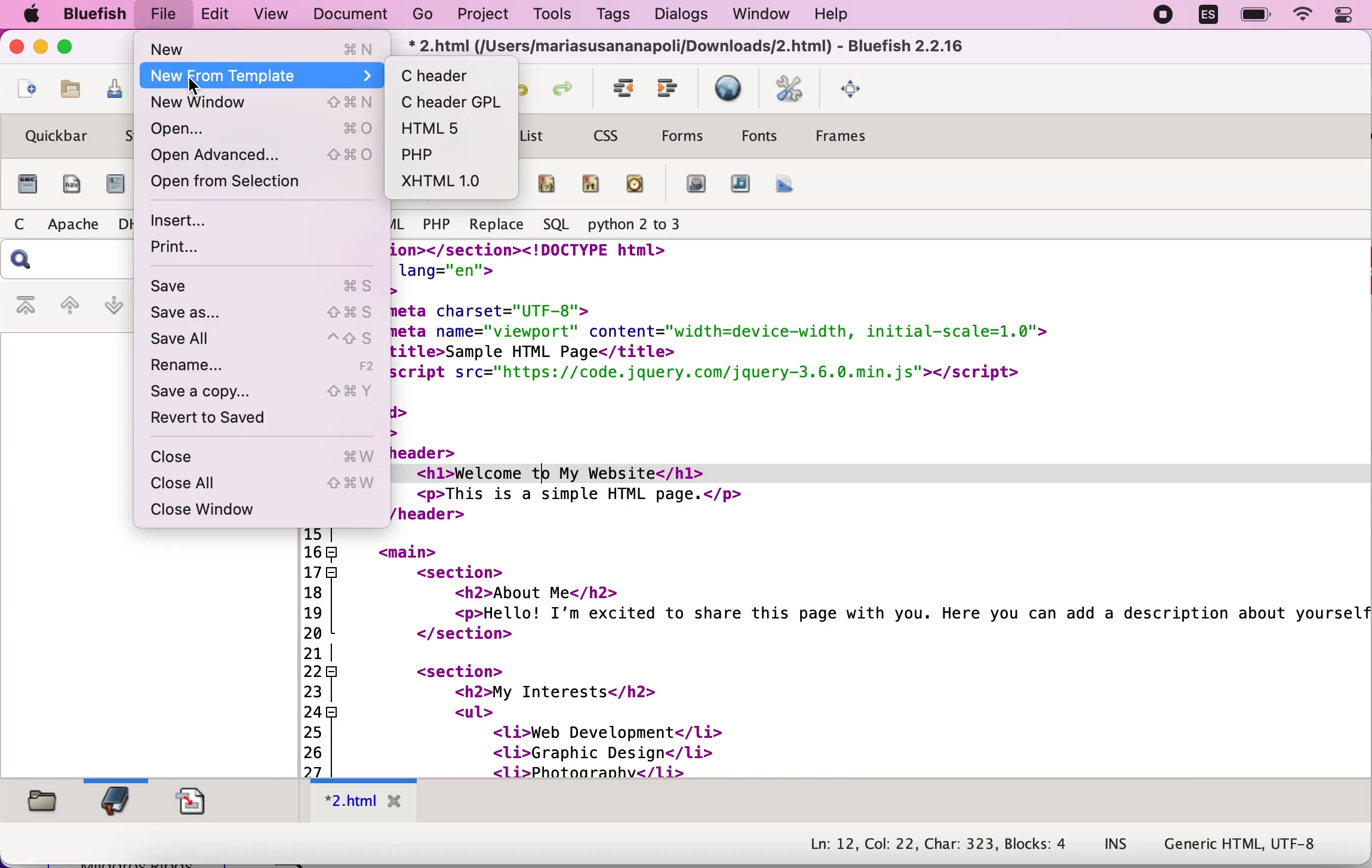 Image resolution: width=1372 pixels, height=868 pixels. Describe the element at coordinates (67, 258) in the screenshot. I see `search bar` at that location.